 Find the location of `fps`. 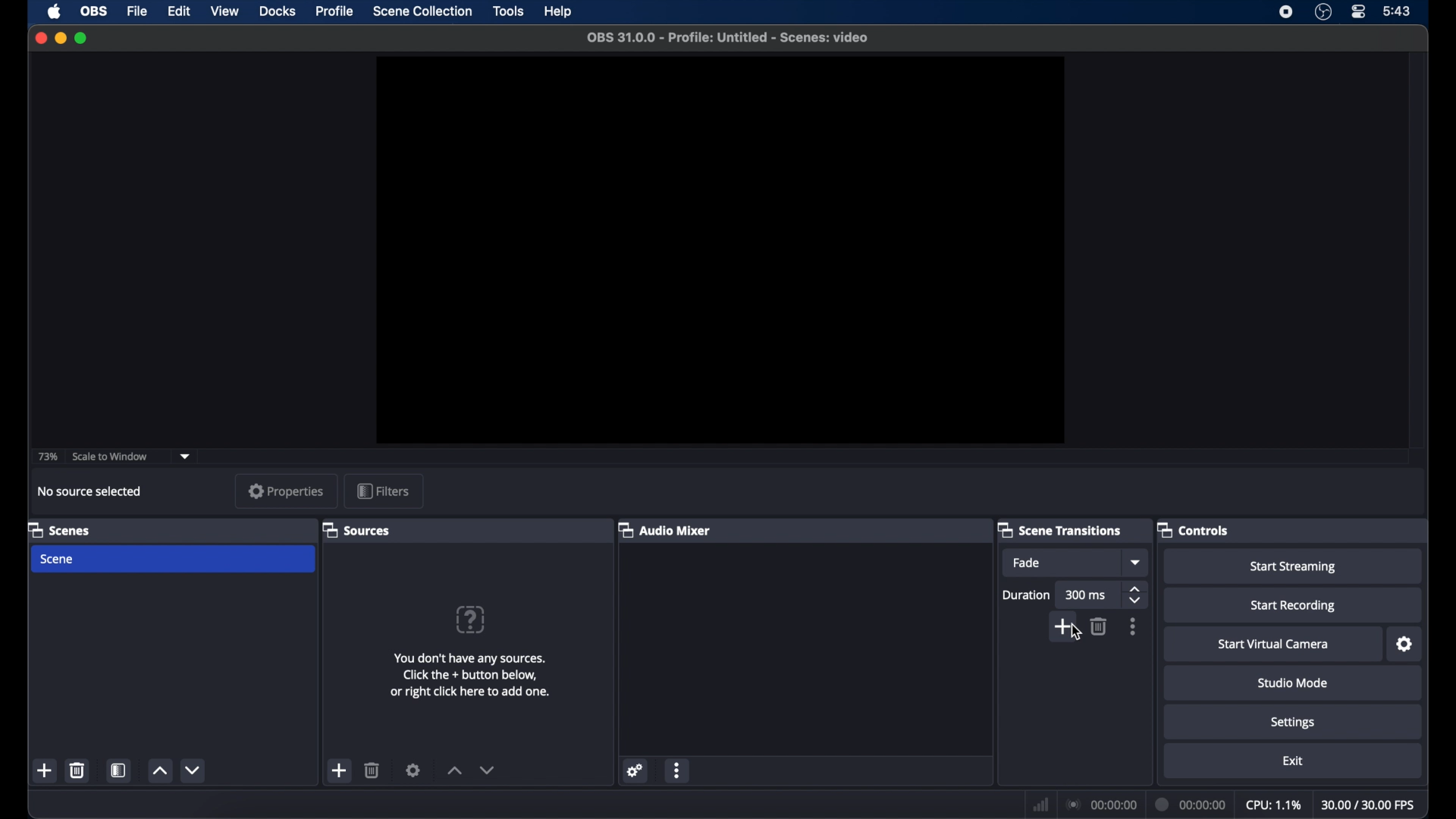

fps is located at coordinates (1368, 805).